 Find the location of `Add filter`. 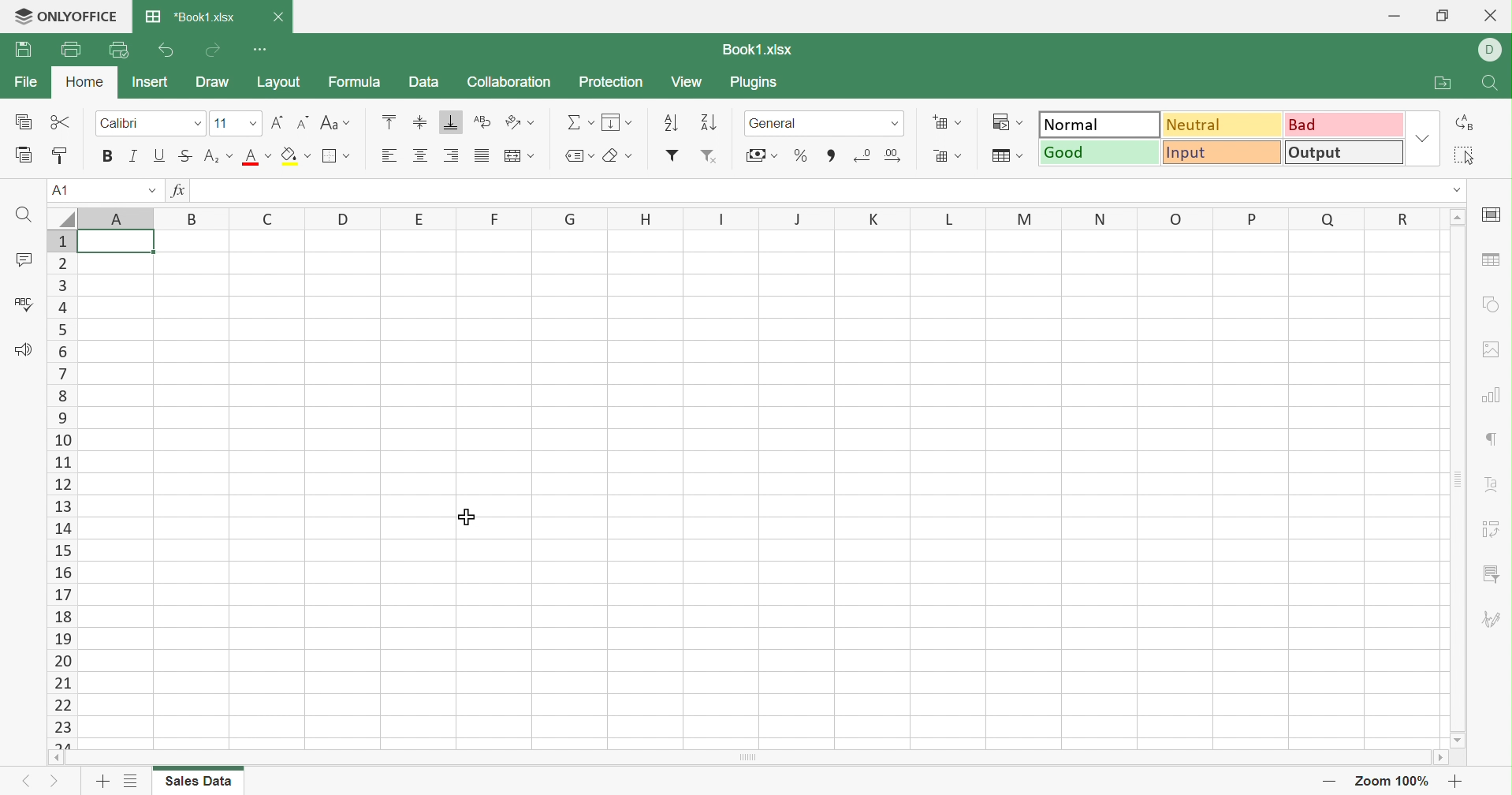

Add filter is located at coordinates (674, 155).